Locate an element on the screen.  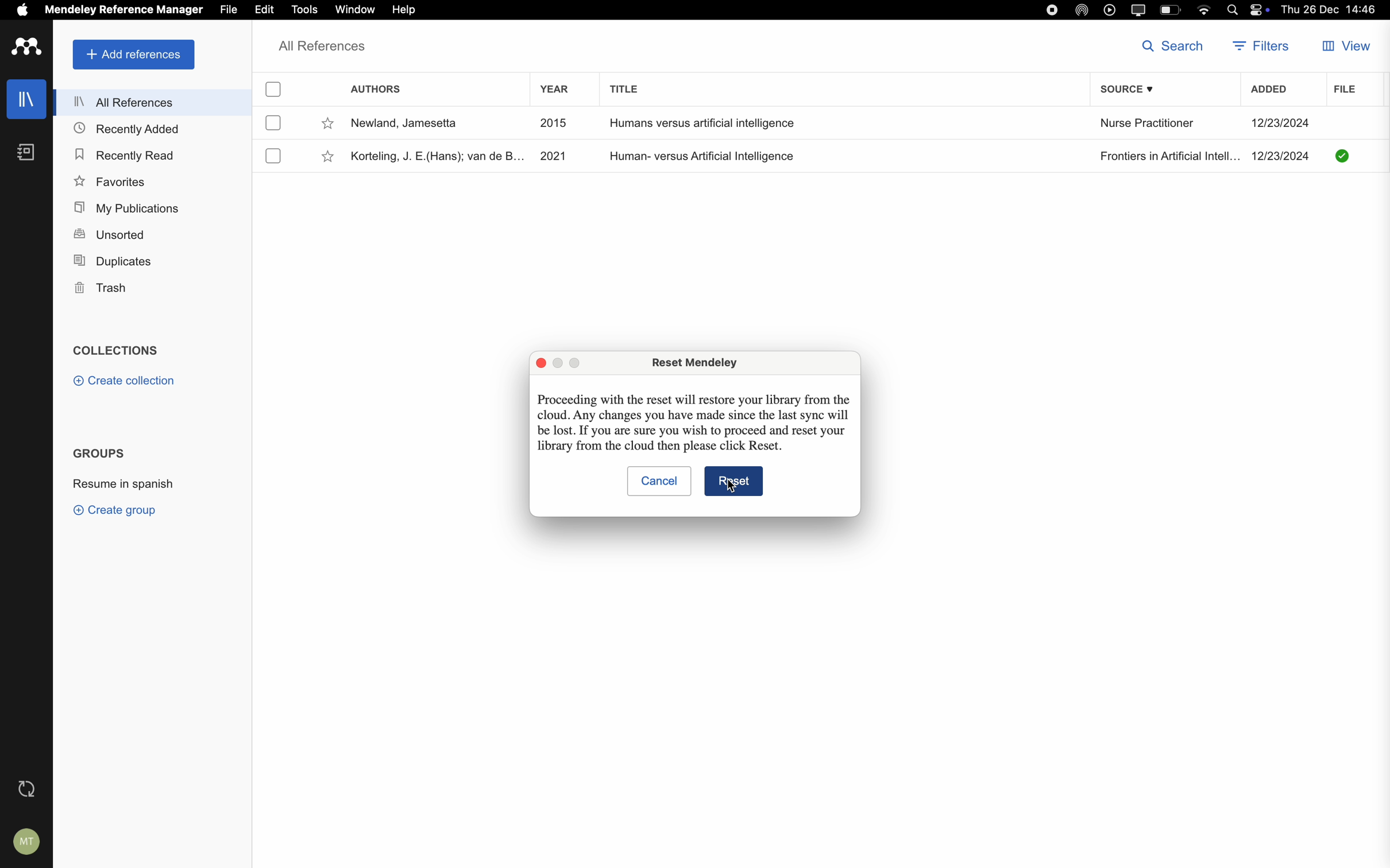
title is located at coordinates (624, 90).